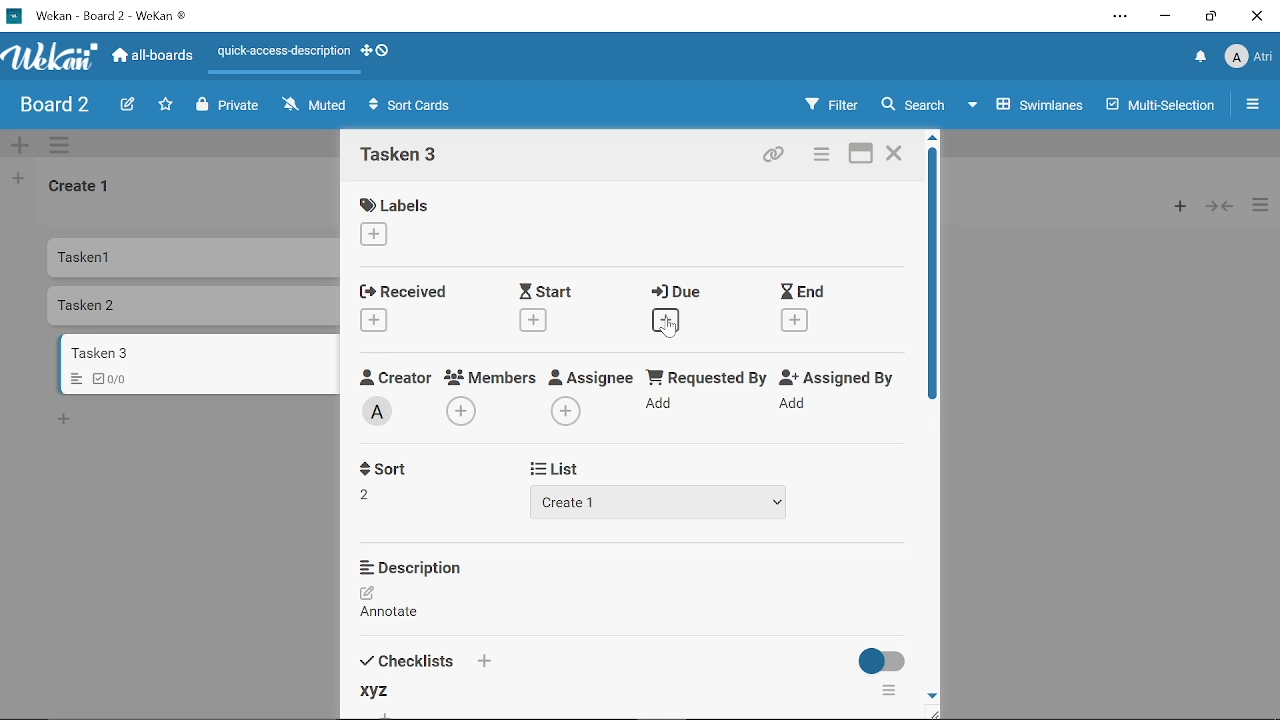 This screenshot has height=720, width=1280. What do you see at coordinates (392, 605) in the screenshot?
I see `Add description` at bounding box center [392, 605].